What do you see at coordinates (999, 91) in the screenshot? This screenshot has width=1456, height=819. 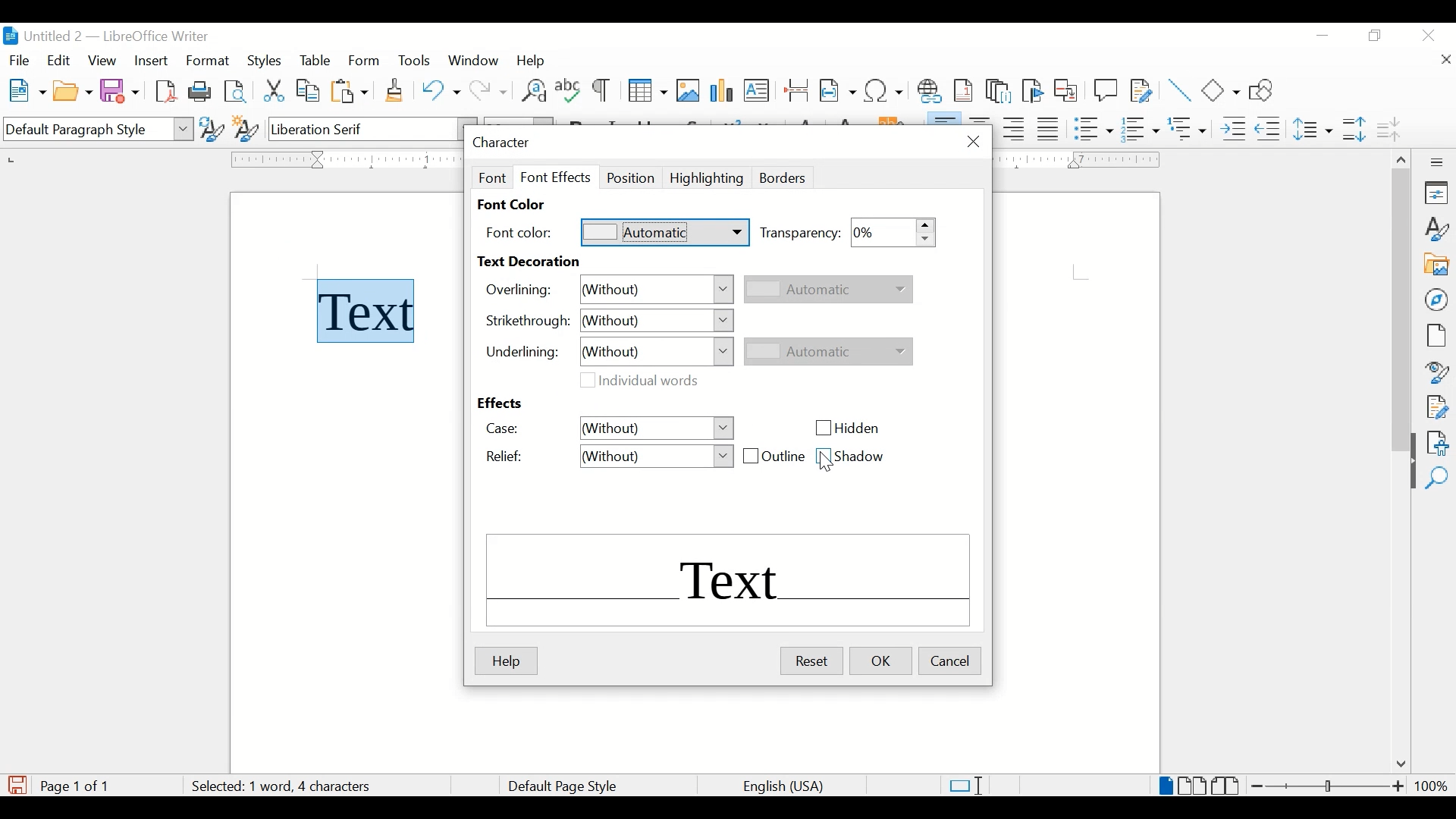 I see `insert endnote` at bounding box center [999, 91].